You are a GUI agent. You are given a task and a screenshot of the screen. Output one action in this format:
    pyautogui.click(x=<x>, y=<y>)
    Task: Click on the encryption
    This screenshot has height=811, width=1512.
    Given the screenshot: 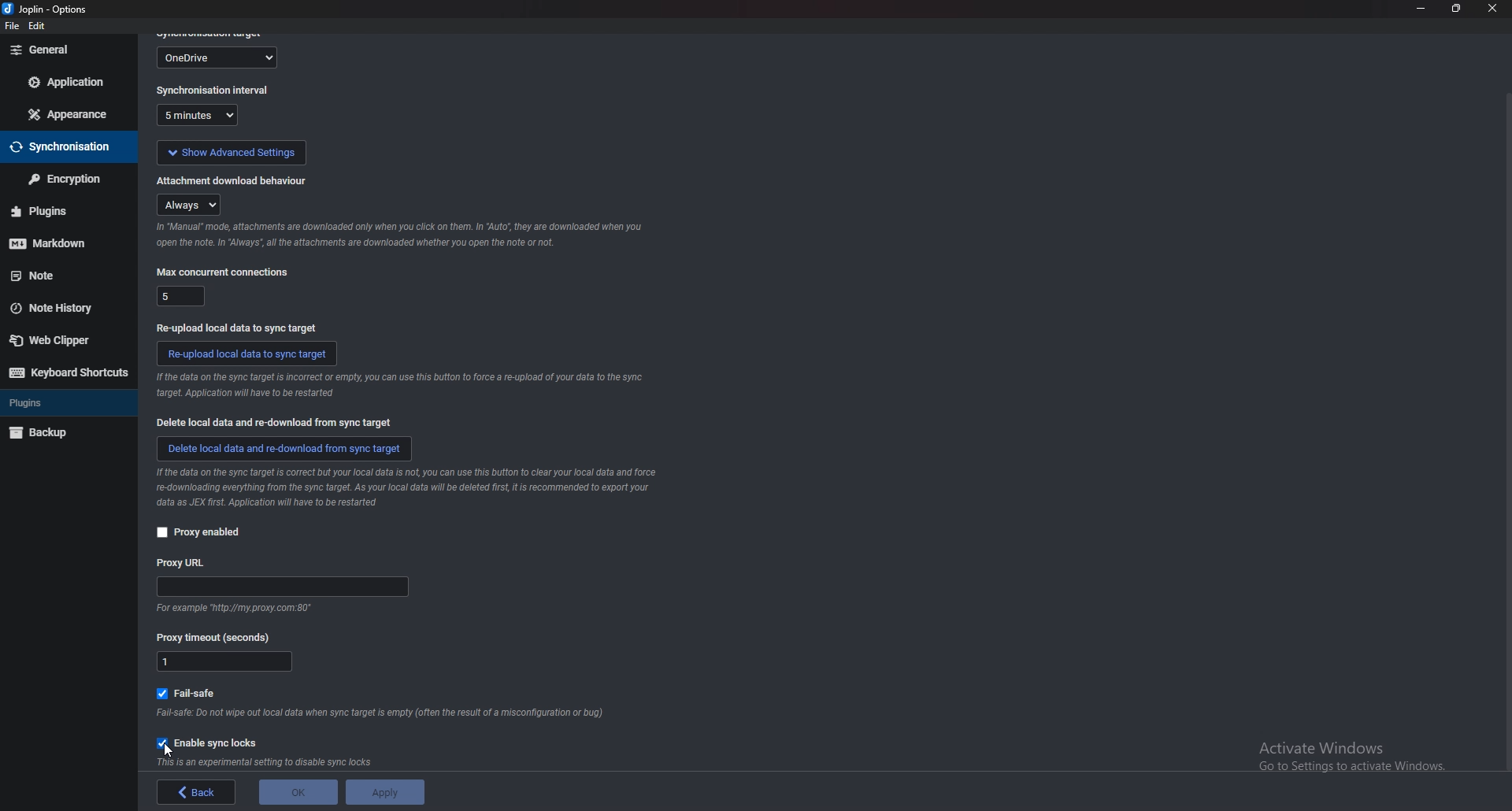 What is the action you would take?
    pyautogui.click(x=63, y=180)
    